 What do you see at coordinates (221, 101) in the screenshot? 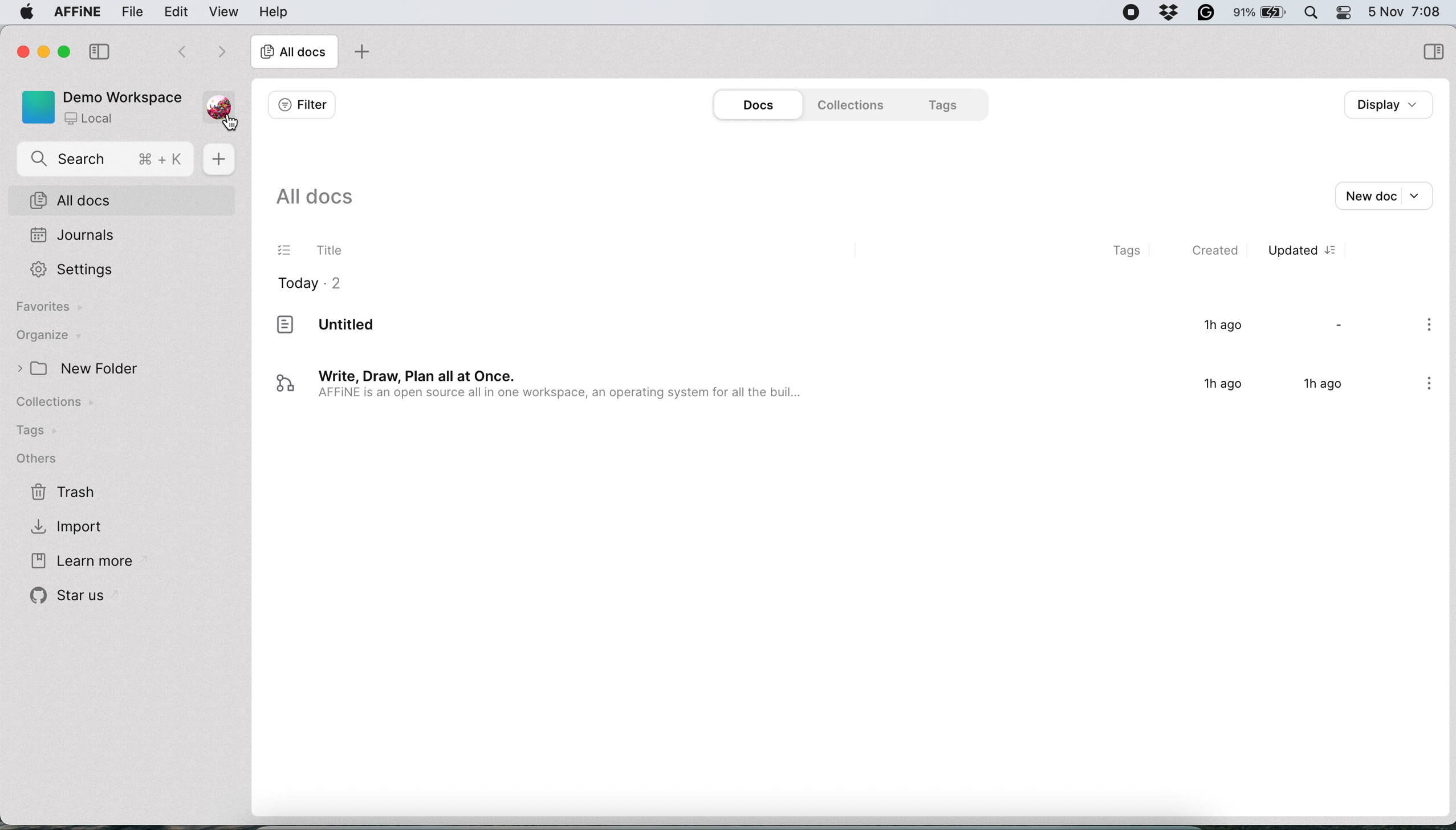
I see `profile` at bounding box center [221, 101].